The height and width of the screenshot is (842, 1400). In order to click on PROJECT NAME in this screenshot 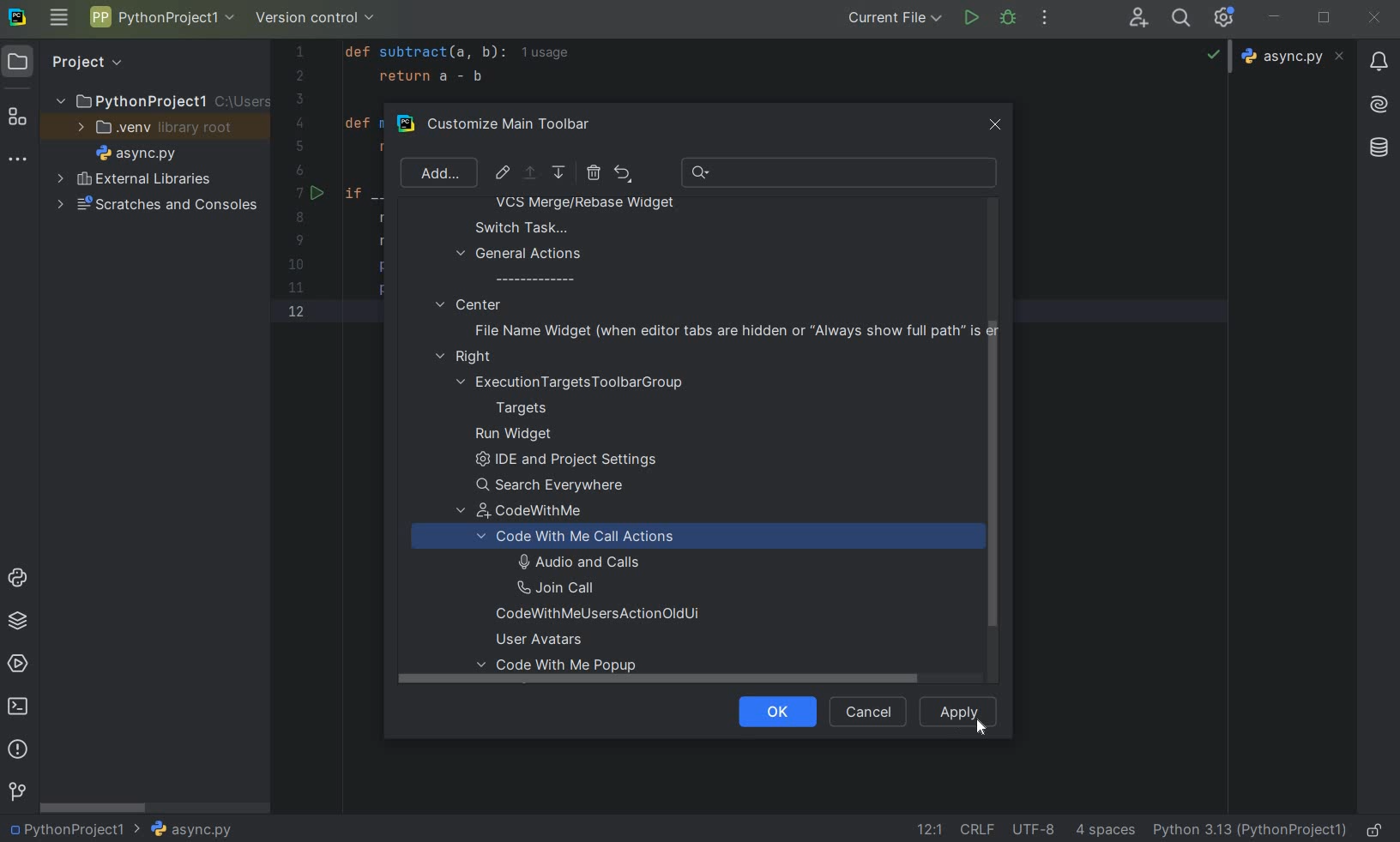, I will do `click(160, 99)`.